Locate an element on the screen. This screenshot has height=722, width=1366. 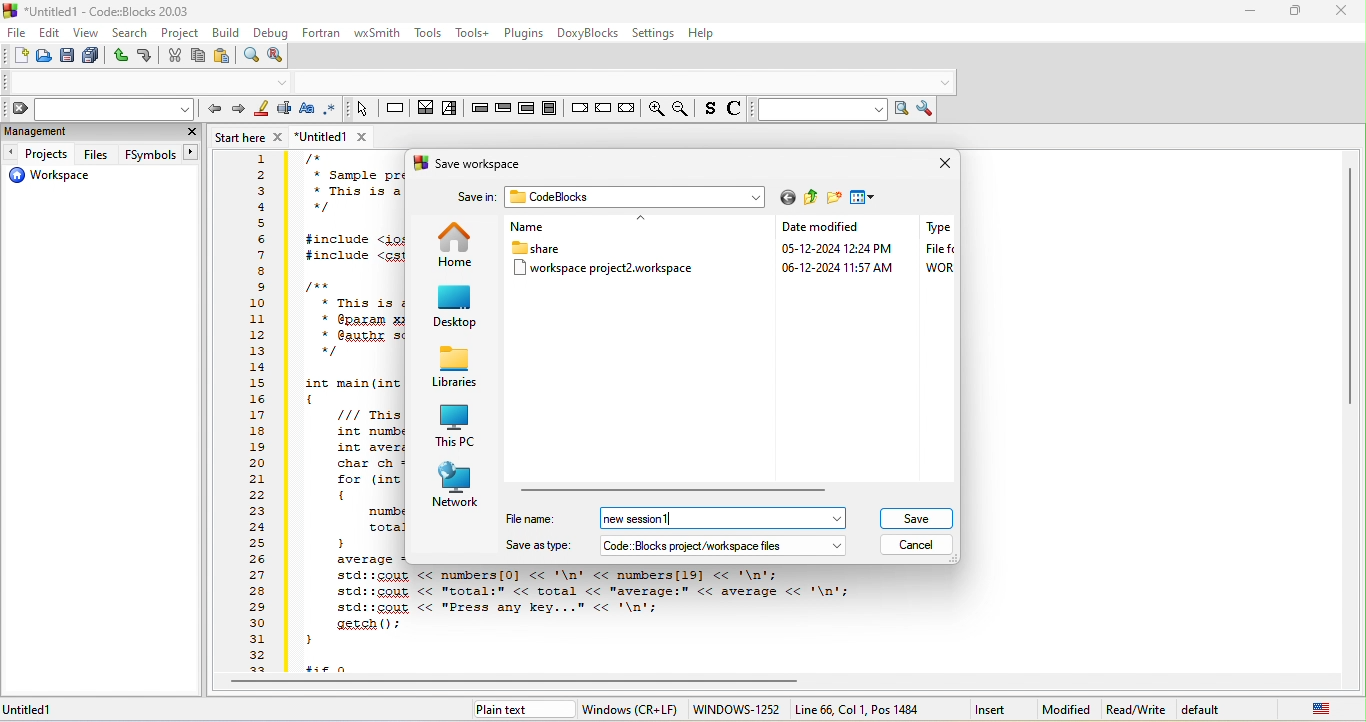
return is located at coordinates (625, 109).